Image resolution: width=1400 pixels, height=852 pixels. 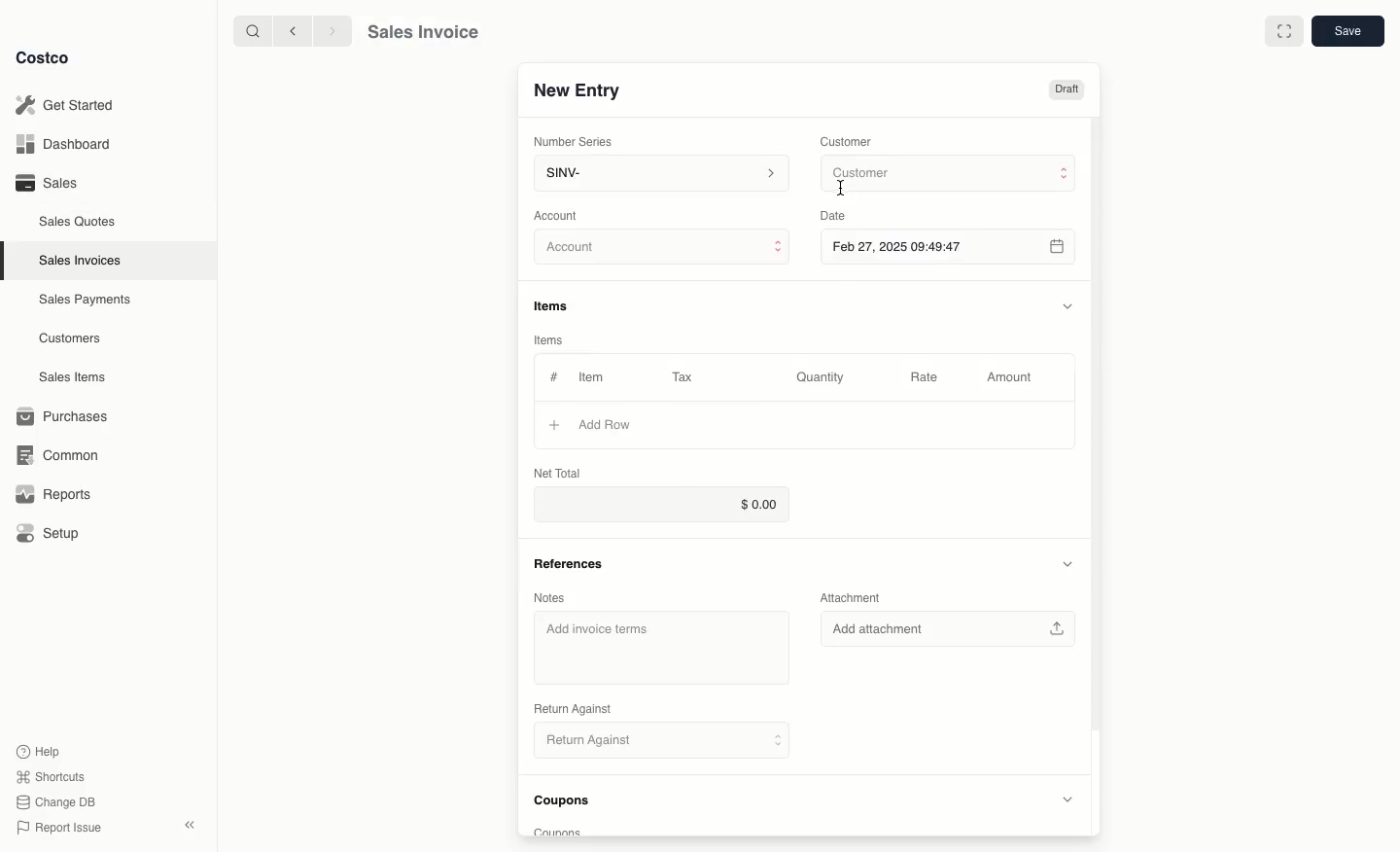 I want to click on Number Series, so click(x=575, y=140).